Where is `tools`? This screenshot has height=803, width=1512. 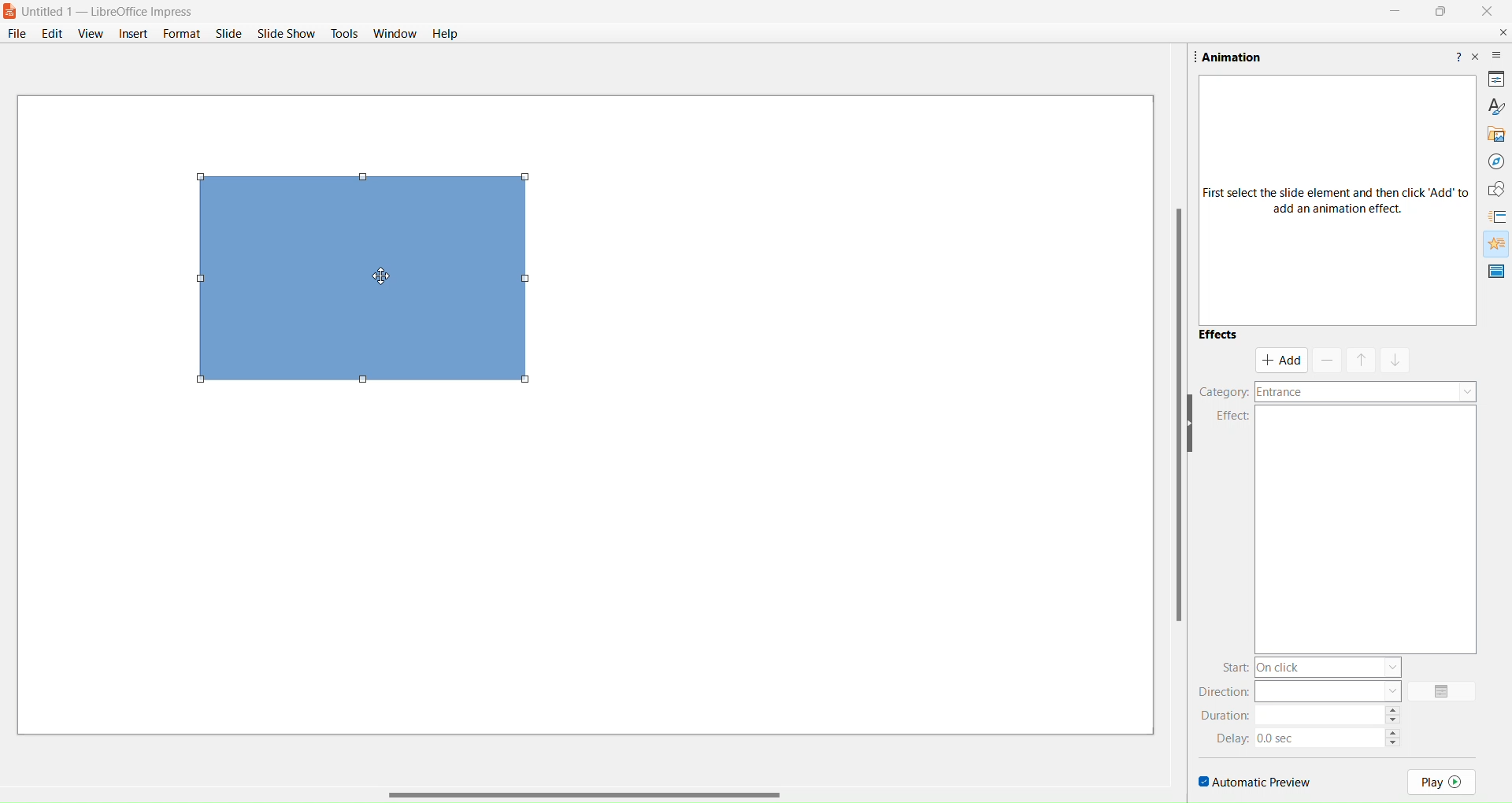 tools is located at coordinates (344, 33).